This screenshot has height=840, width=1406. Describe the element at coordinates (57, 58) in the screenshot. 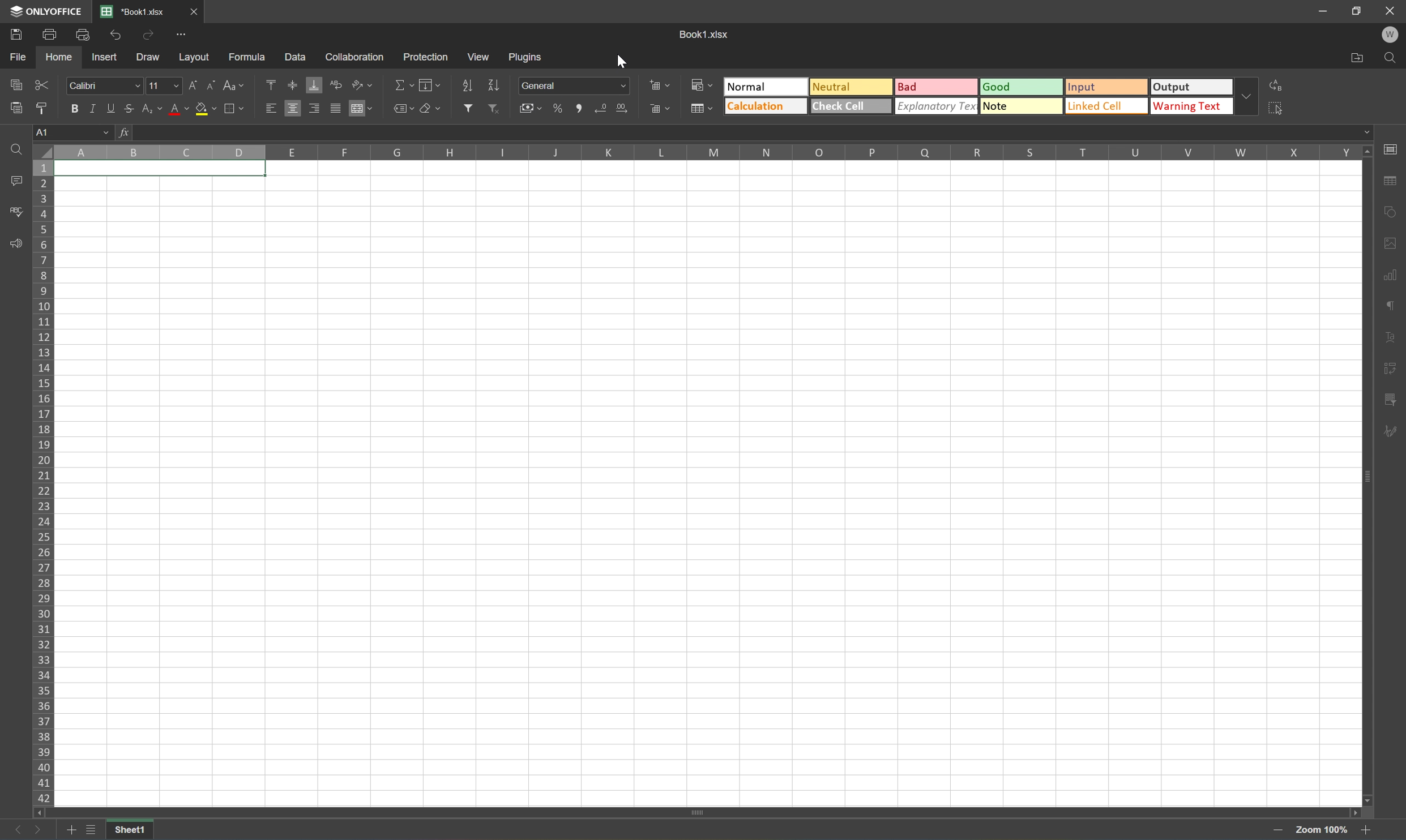

I see `Home` at that location.